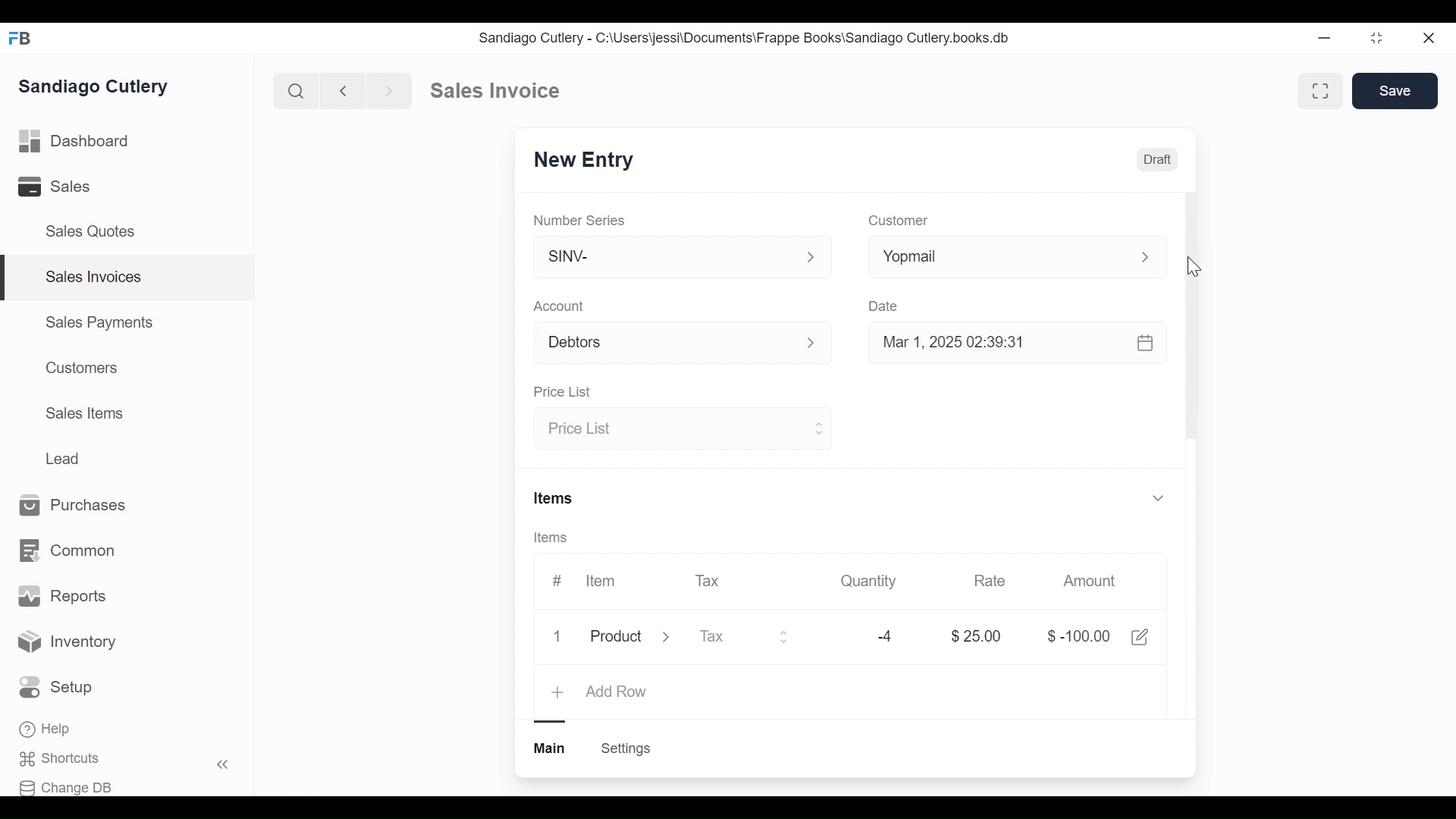  I want to click on Debtors, so click(673, 341).